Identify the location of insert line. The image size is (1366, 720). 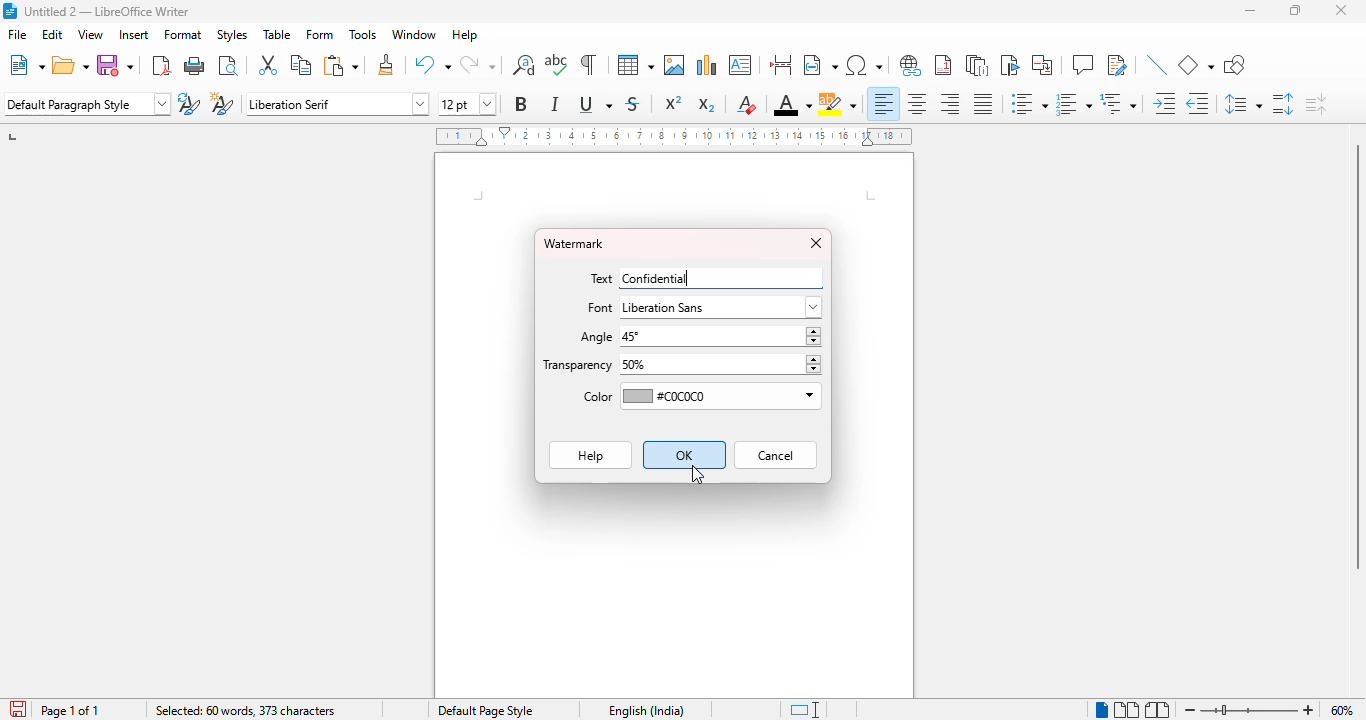
(1157, 64).